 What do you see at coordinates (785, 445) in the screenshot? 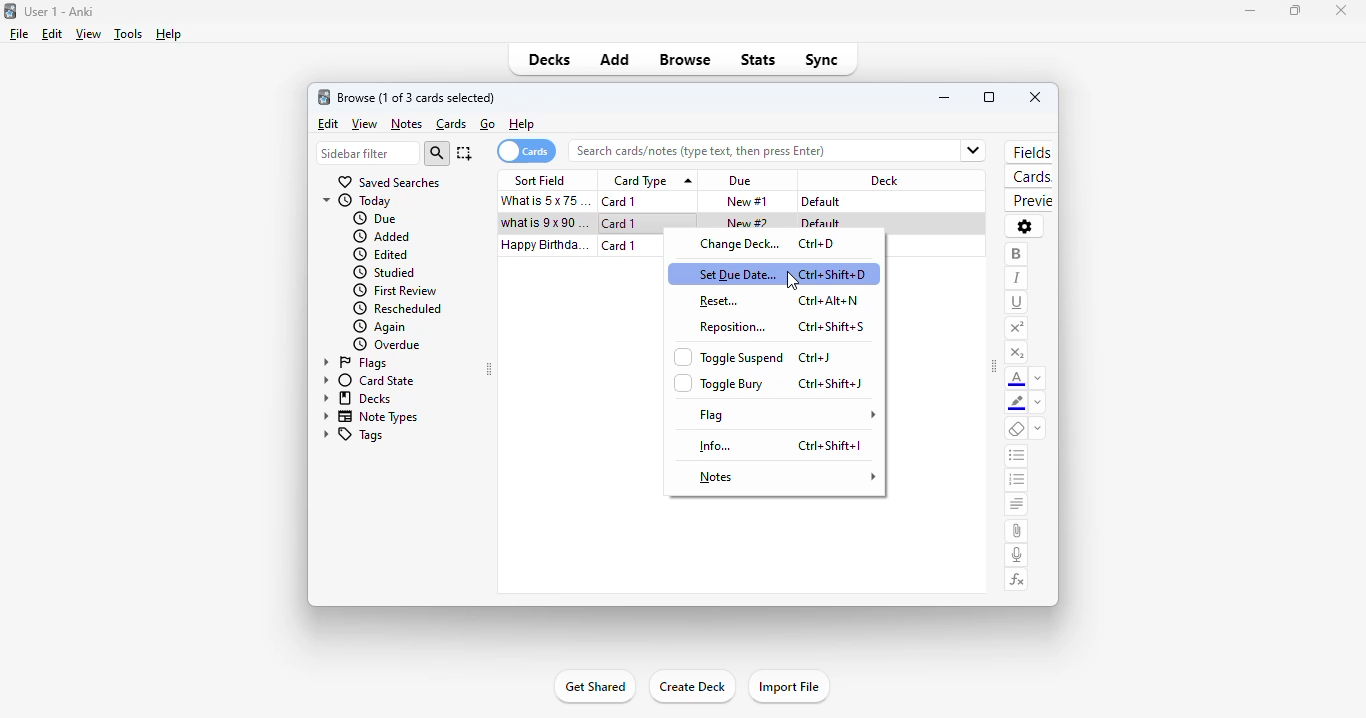
I see `info  Ctrl + Shift + I` at bounding box center [785, 445].